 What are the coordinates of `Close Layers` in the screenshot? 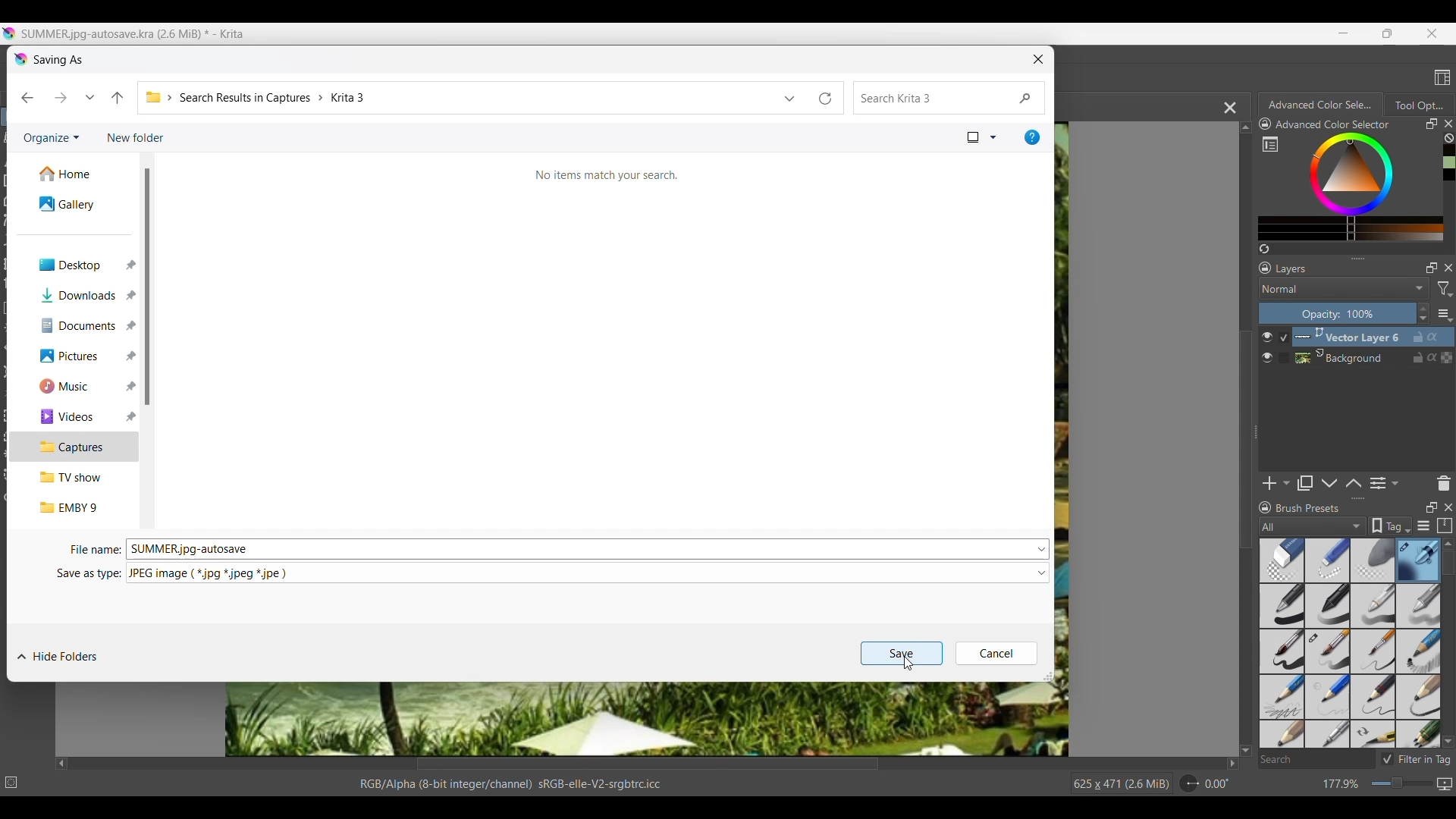 It's located at (1448, 268).